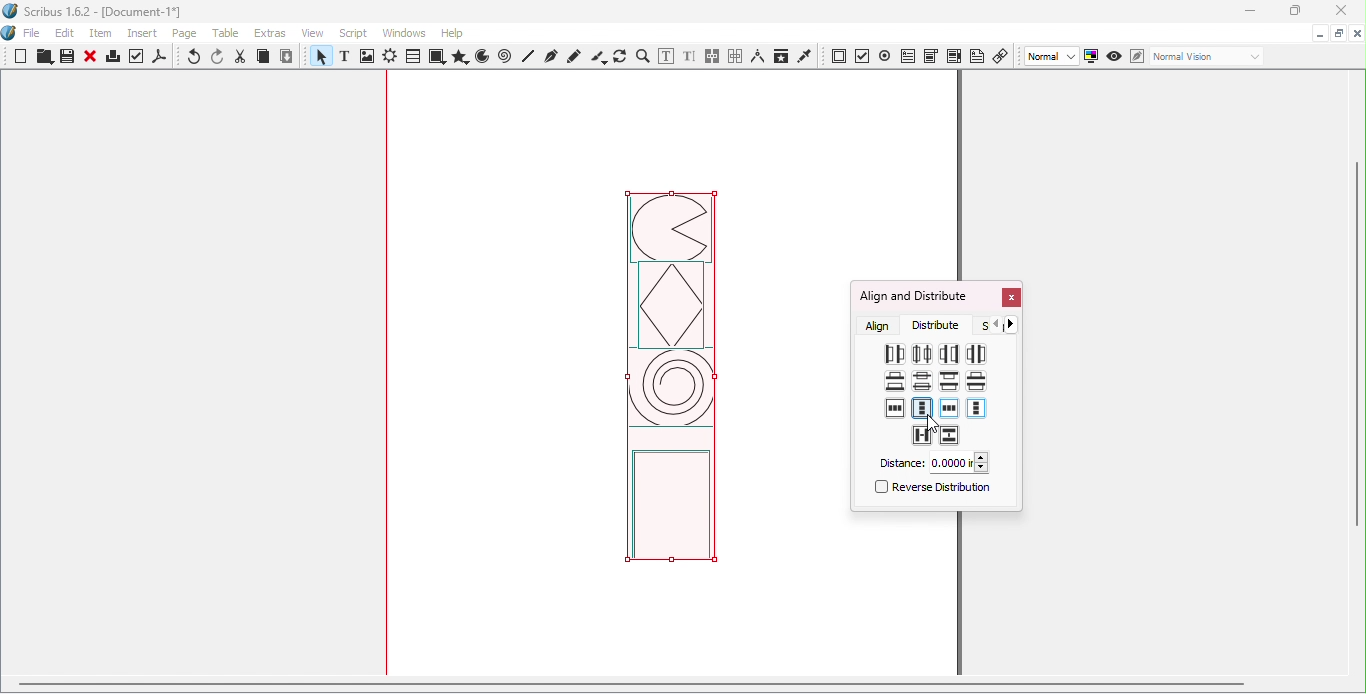 The height and width of the screenshot is (694, 1366). Describe the element at coordinates (671, 385) in the screenshot. I see `image aligned` at that location.